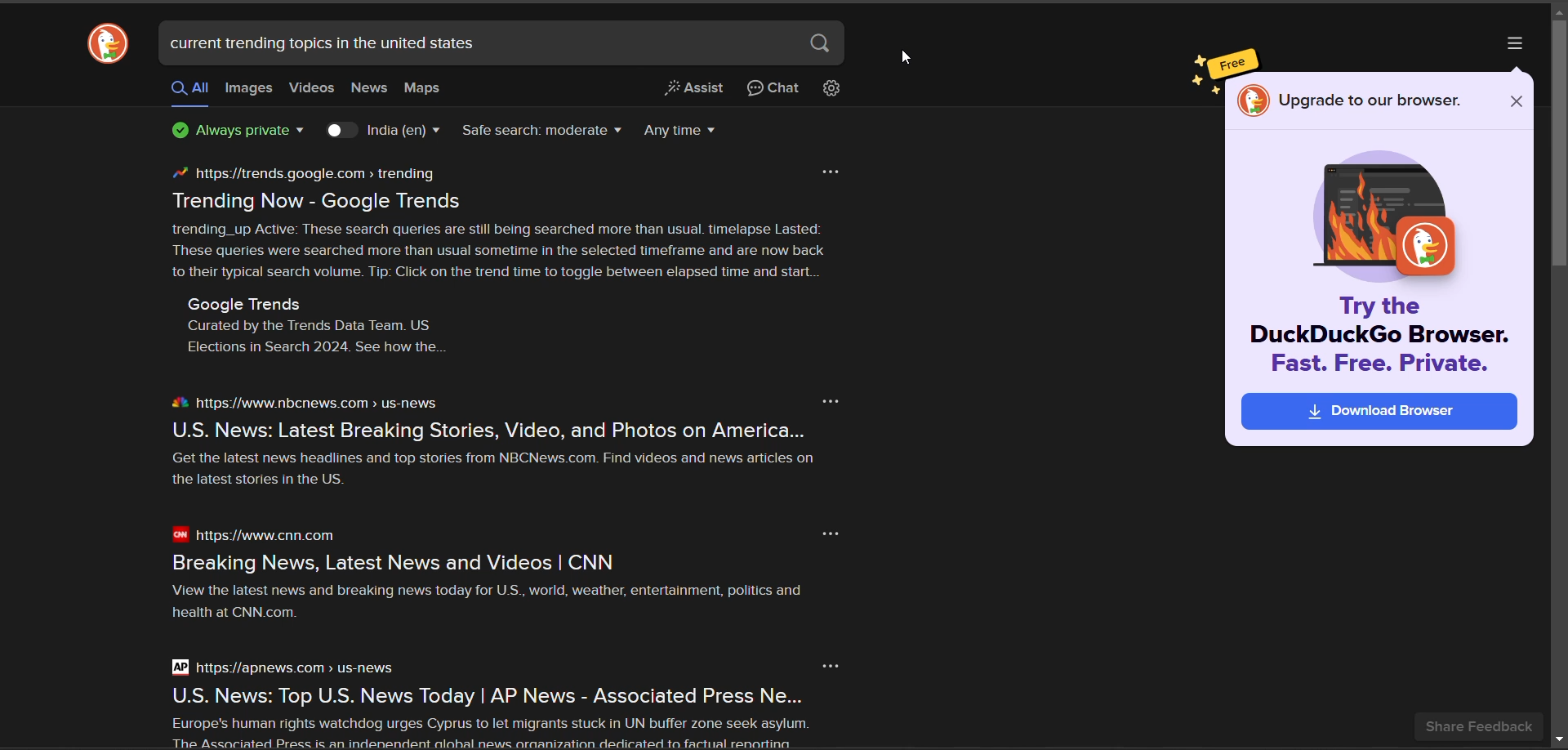 This screenshot has width=1568, height=750. Describe the element at coordinates (544, 133) in the screenshot. I see `safe search filter` at that location.